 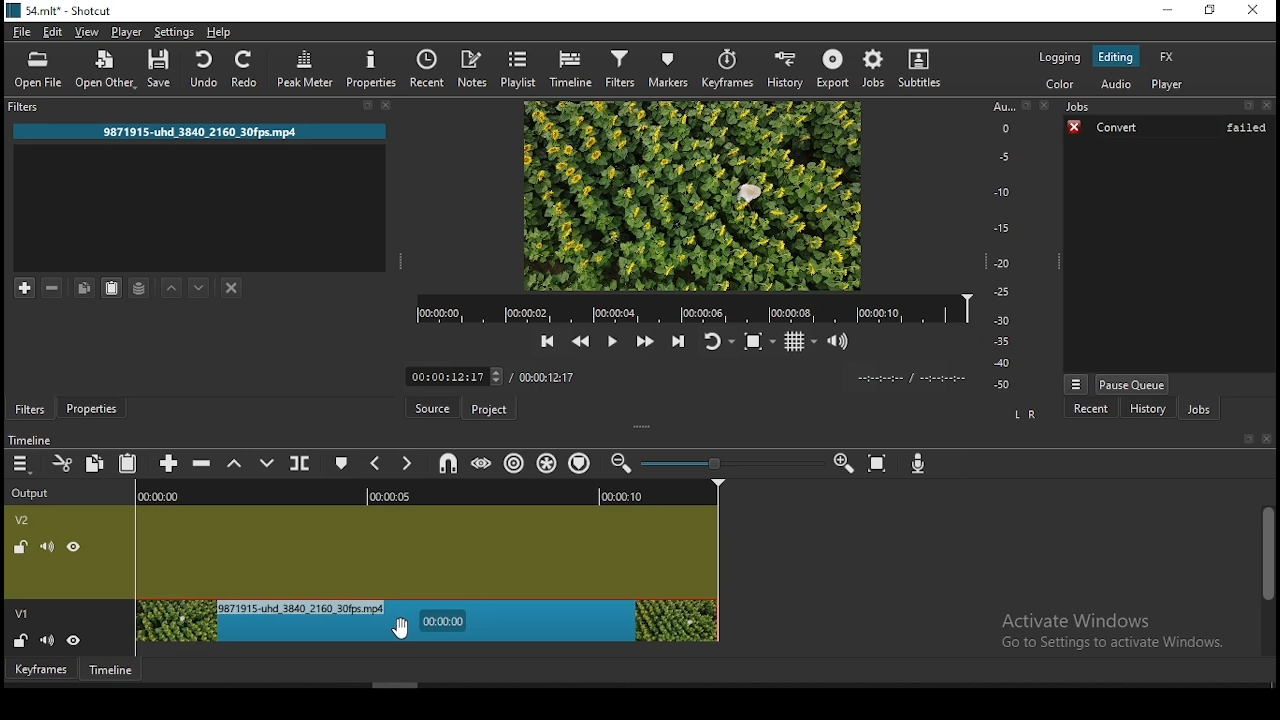 I want to click on settings, so click(x=174, y=33).